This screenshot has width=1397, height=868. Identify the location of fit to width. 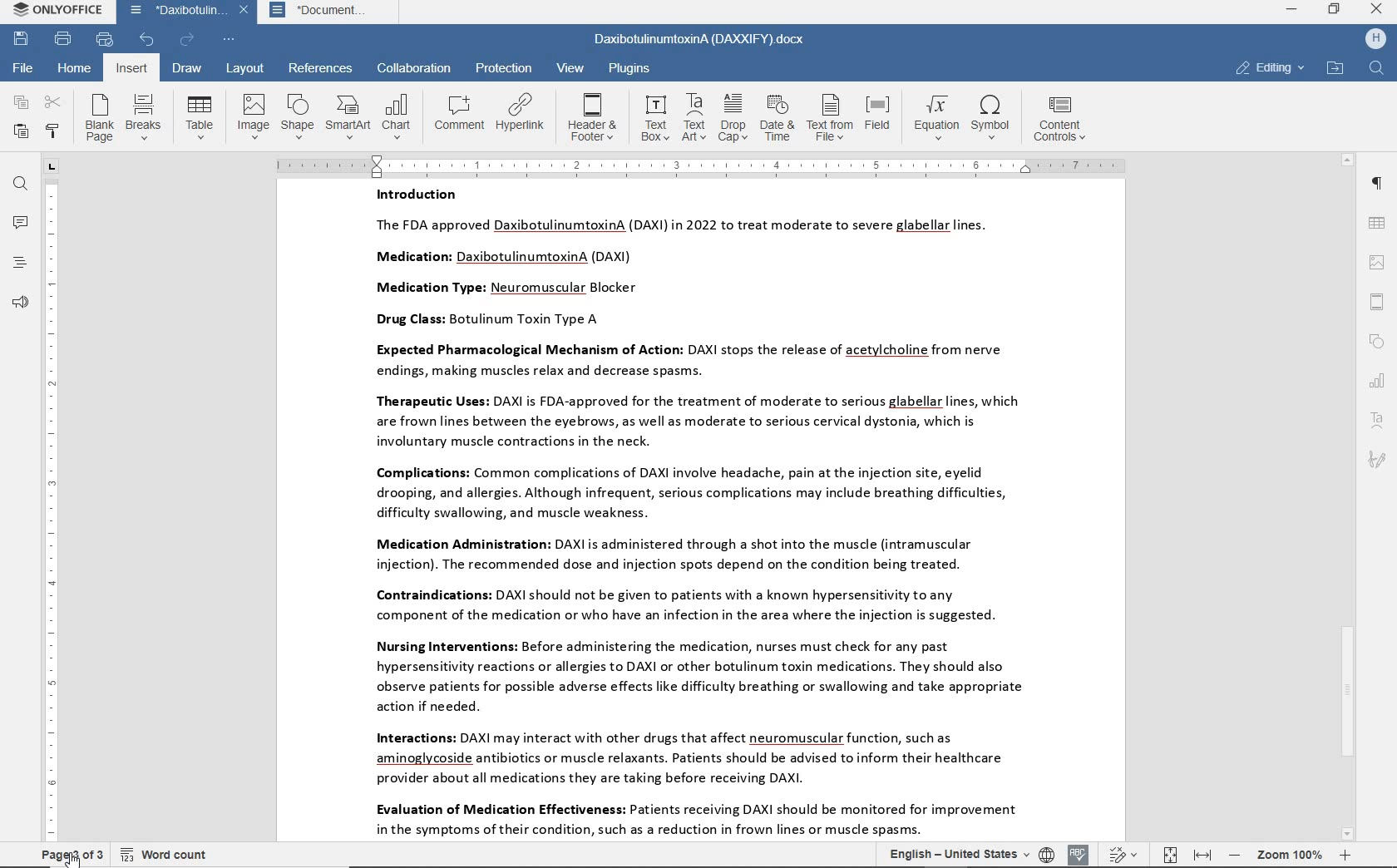
(1202, 856).